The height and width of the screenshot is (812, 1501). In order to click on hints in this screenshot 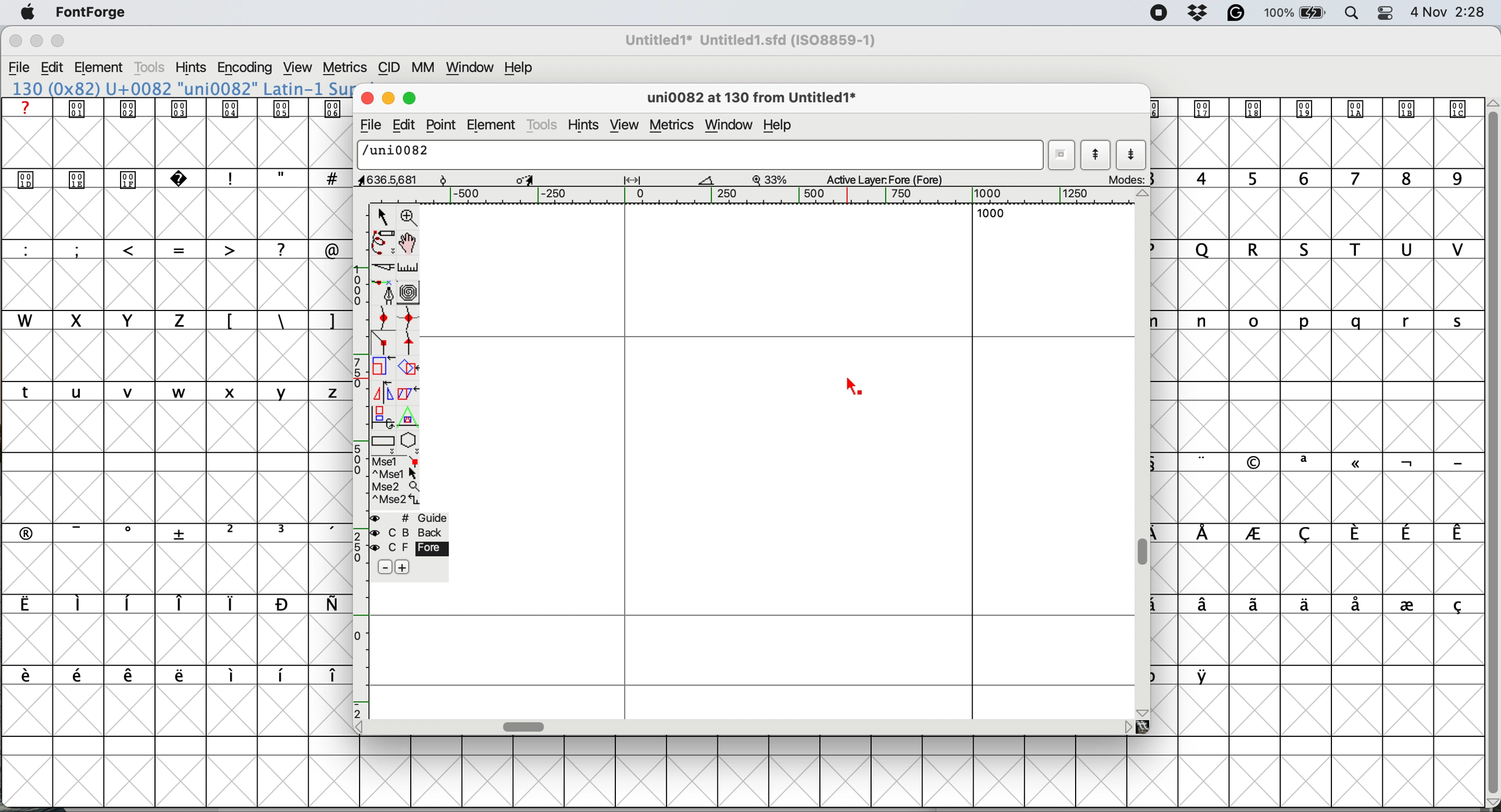, I will do `click(584, 126)`.